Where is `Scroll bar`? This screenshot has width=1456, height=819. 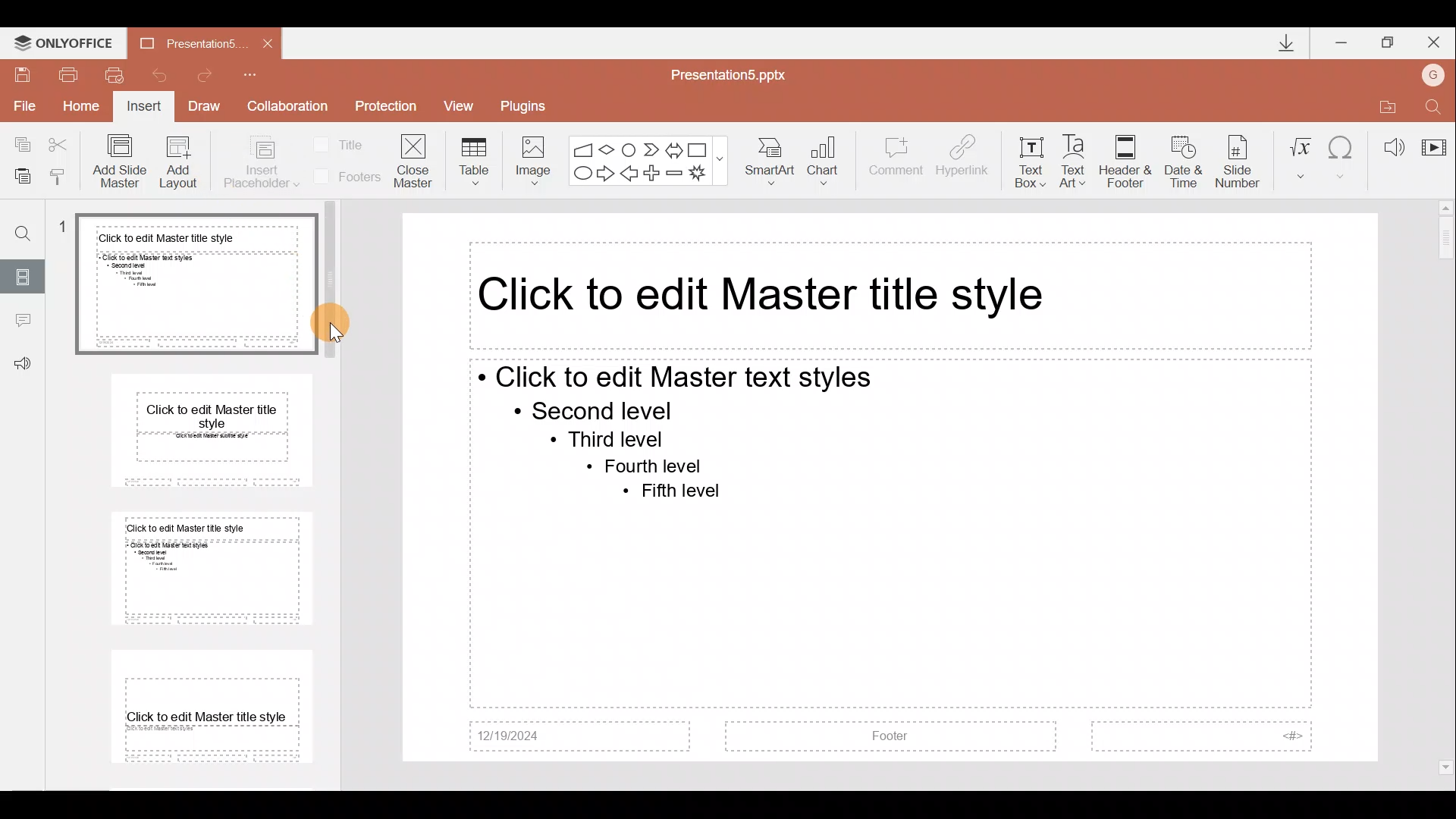
Scroll bar is located at coordinates (1446, 488).